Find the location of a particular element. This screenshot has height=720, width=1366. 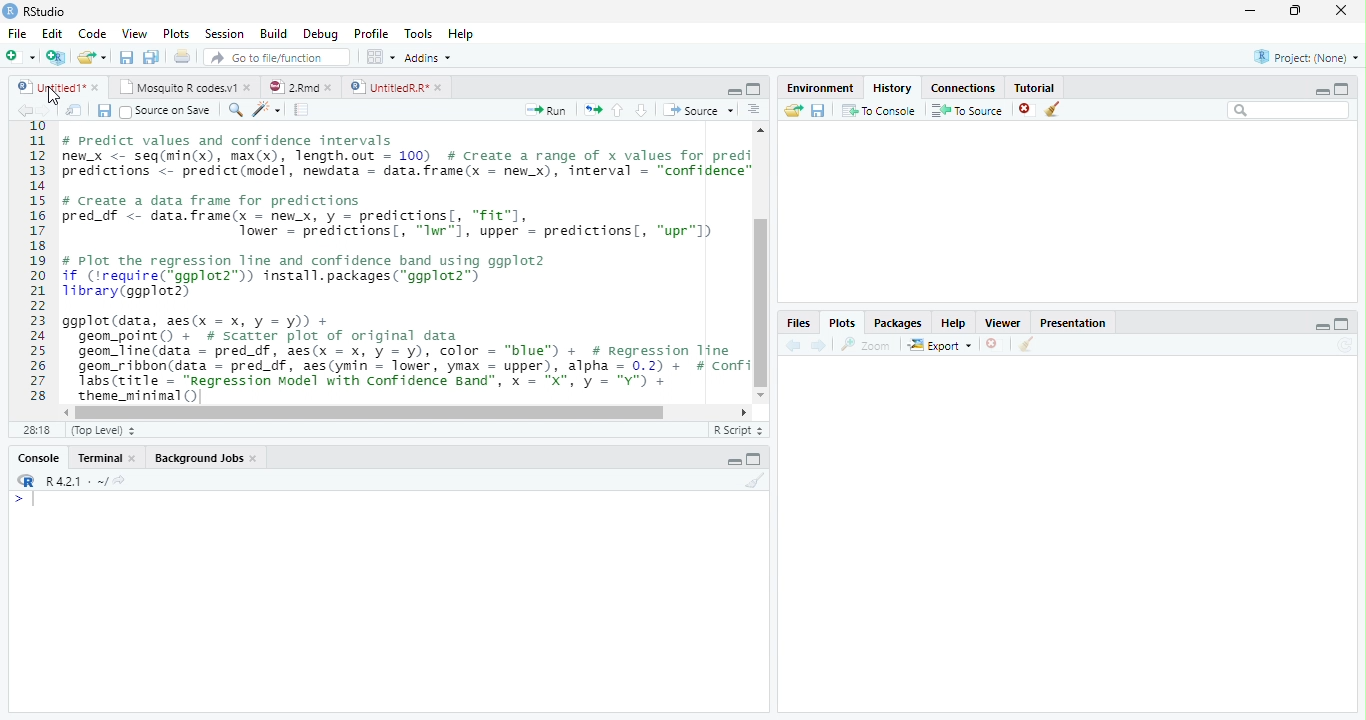

Zoom is located at coordinates (865, 346).